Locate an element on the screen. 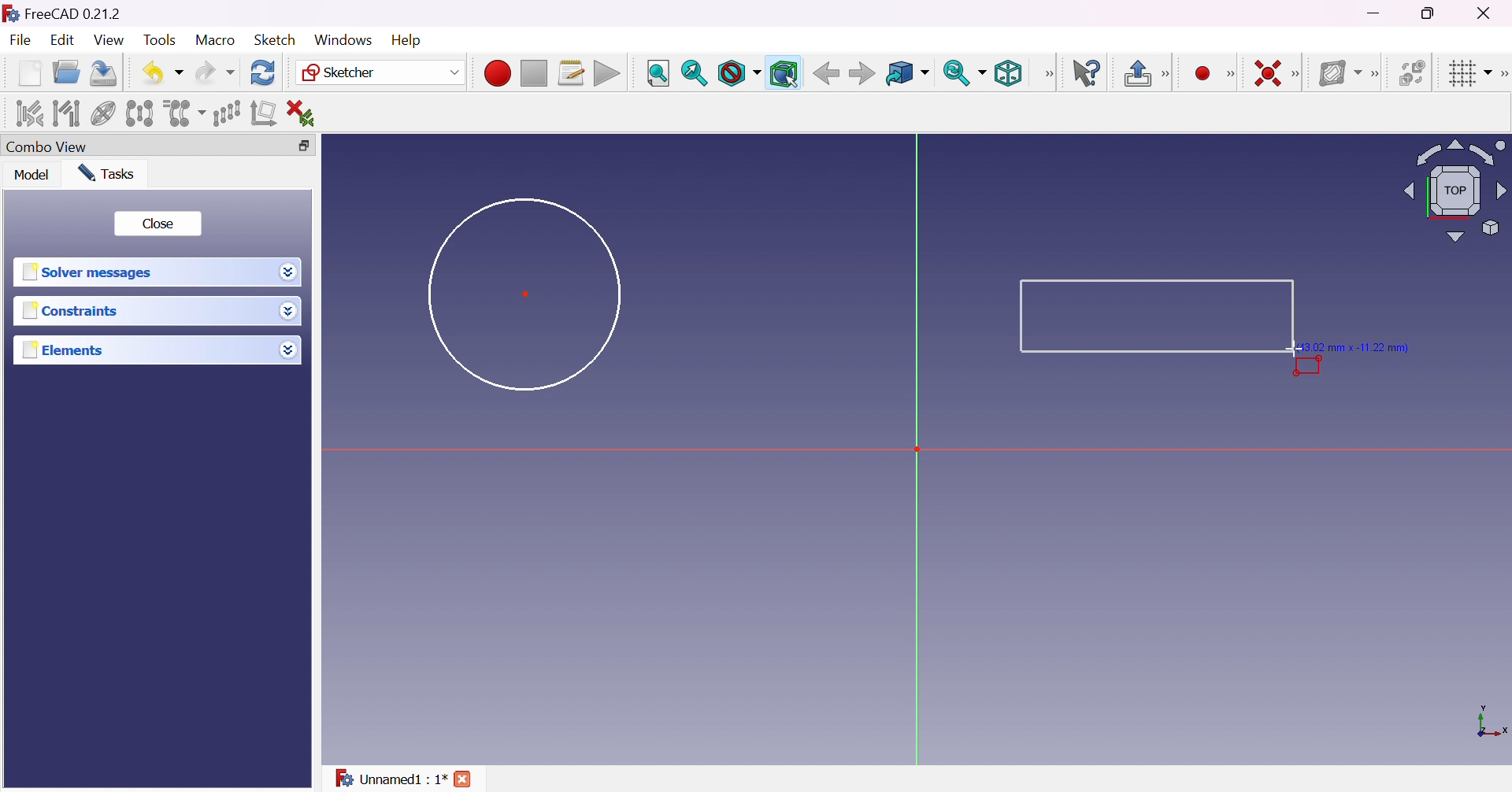 The height and width of the screenshot is (792, 1512). Show/hide internal geometry is located at coordinates (105, 115).